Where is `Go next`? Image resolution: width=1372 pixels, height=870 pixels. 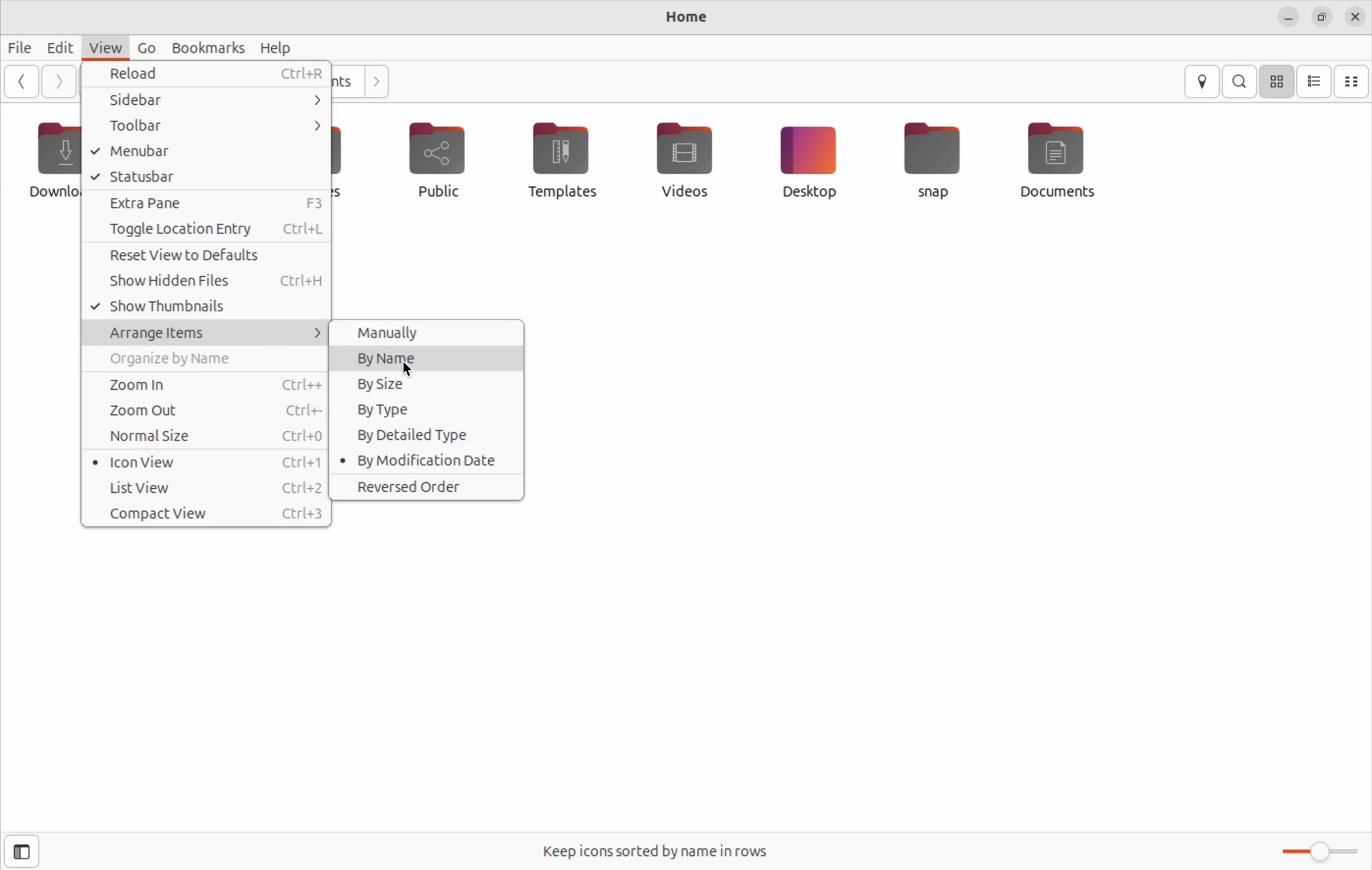
Go next is located at coordinates (59, 81).